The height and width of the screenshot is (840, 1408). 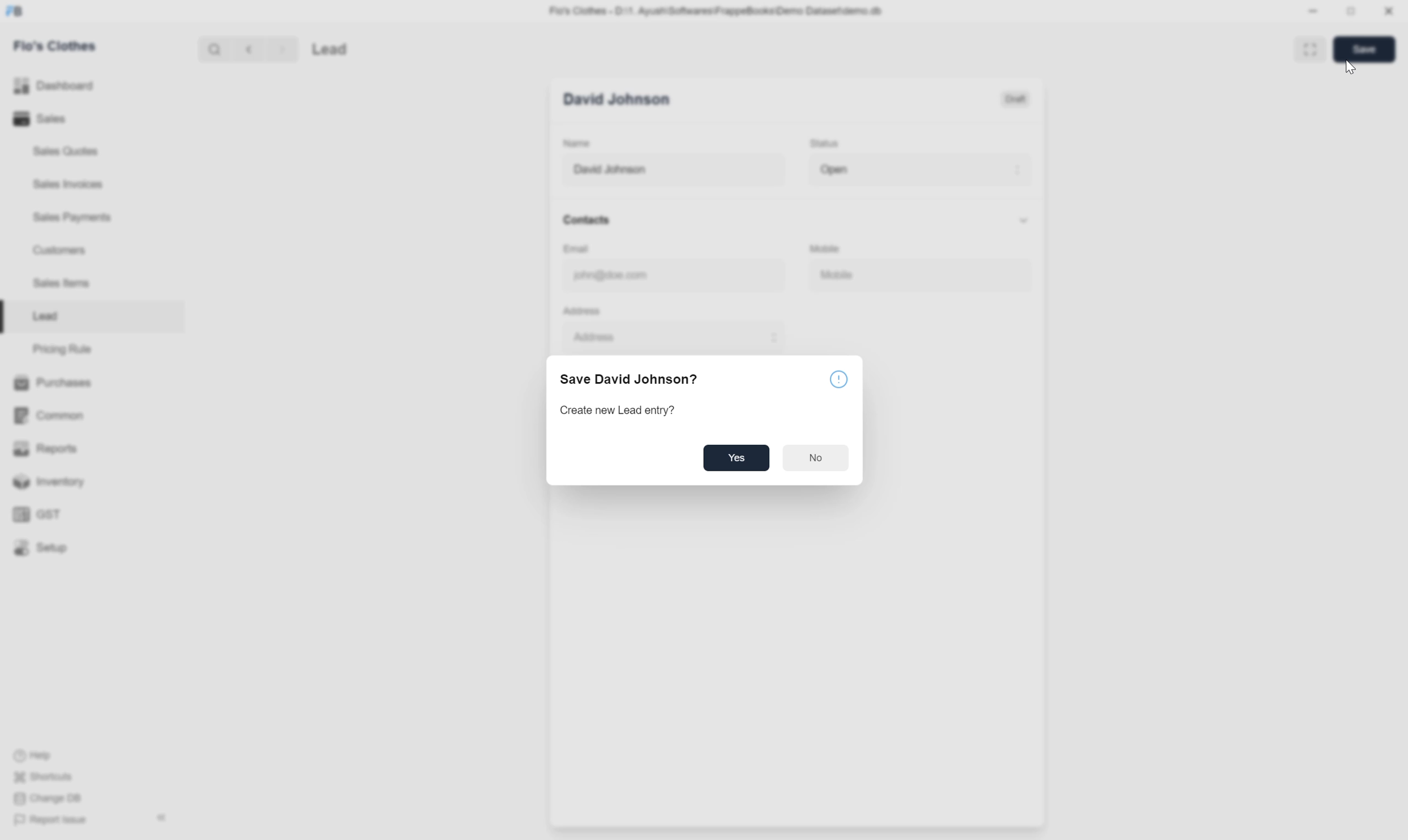 What do you see at coordinates (61, 348) in the screenshot?
I see `Pricing Rule` at bounding box center [61, 348].